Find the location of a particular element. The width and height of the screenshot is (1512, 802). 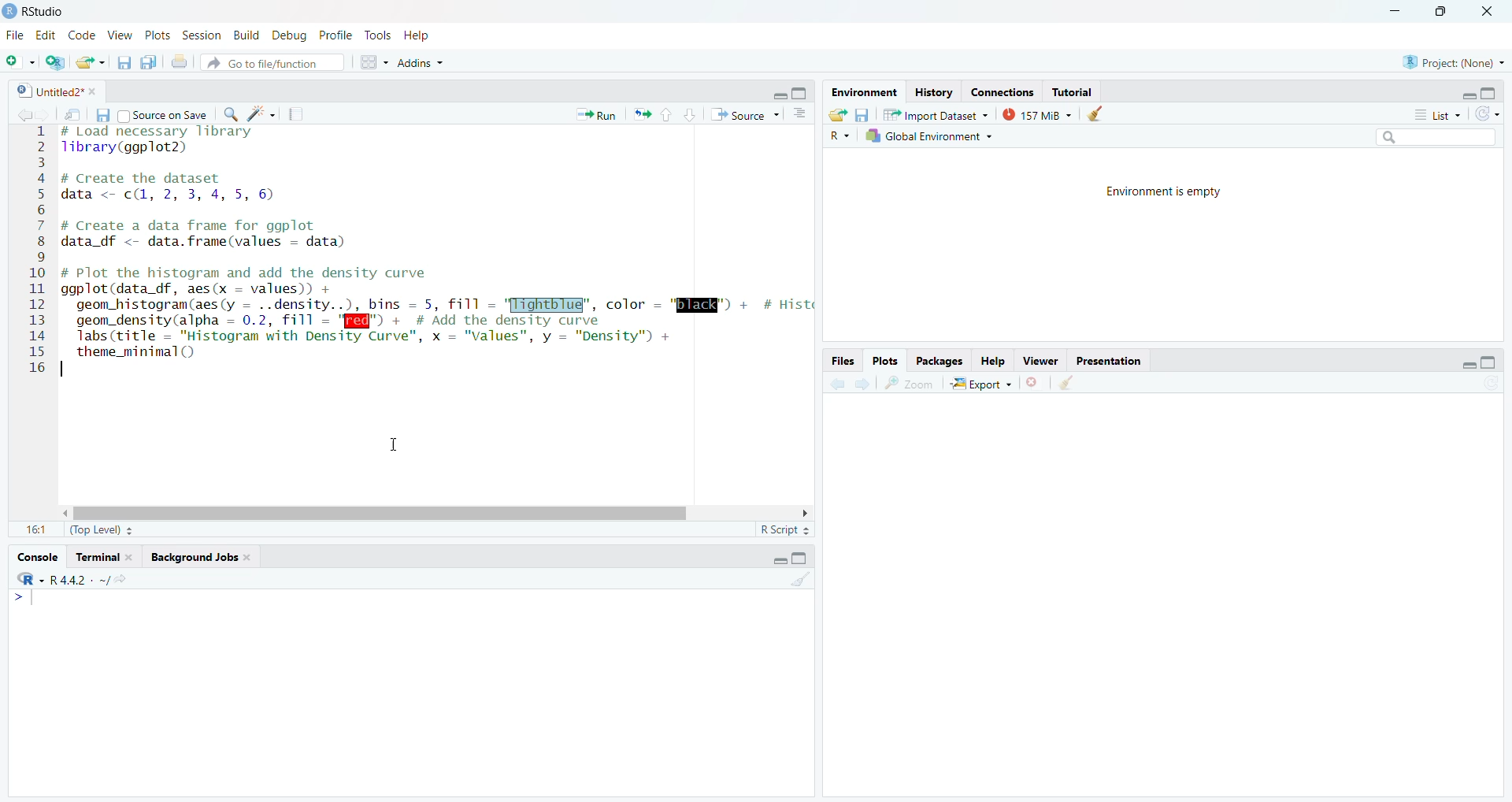

Debug is located at coordinates (288, 35).